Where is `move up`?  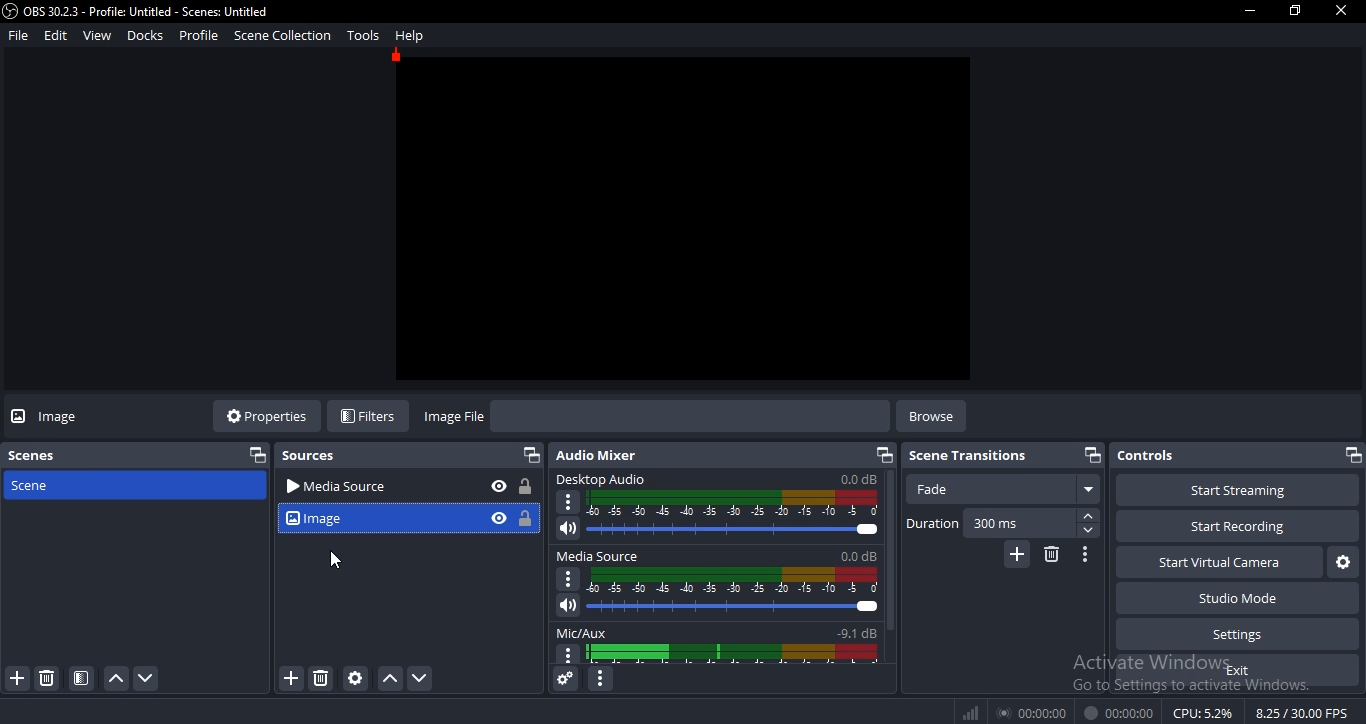 move up is located at coordinates (388, 679).